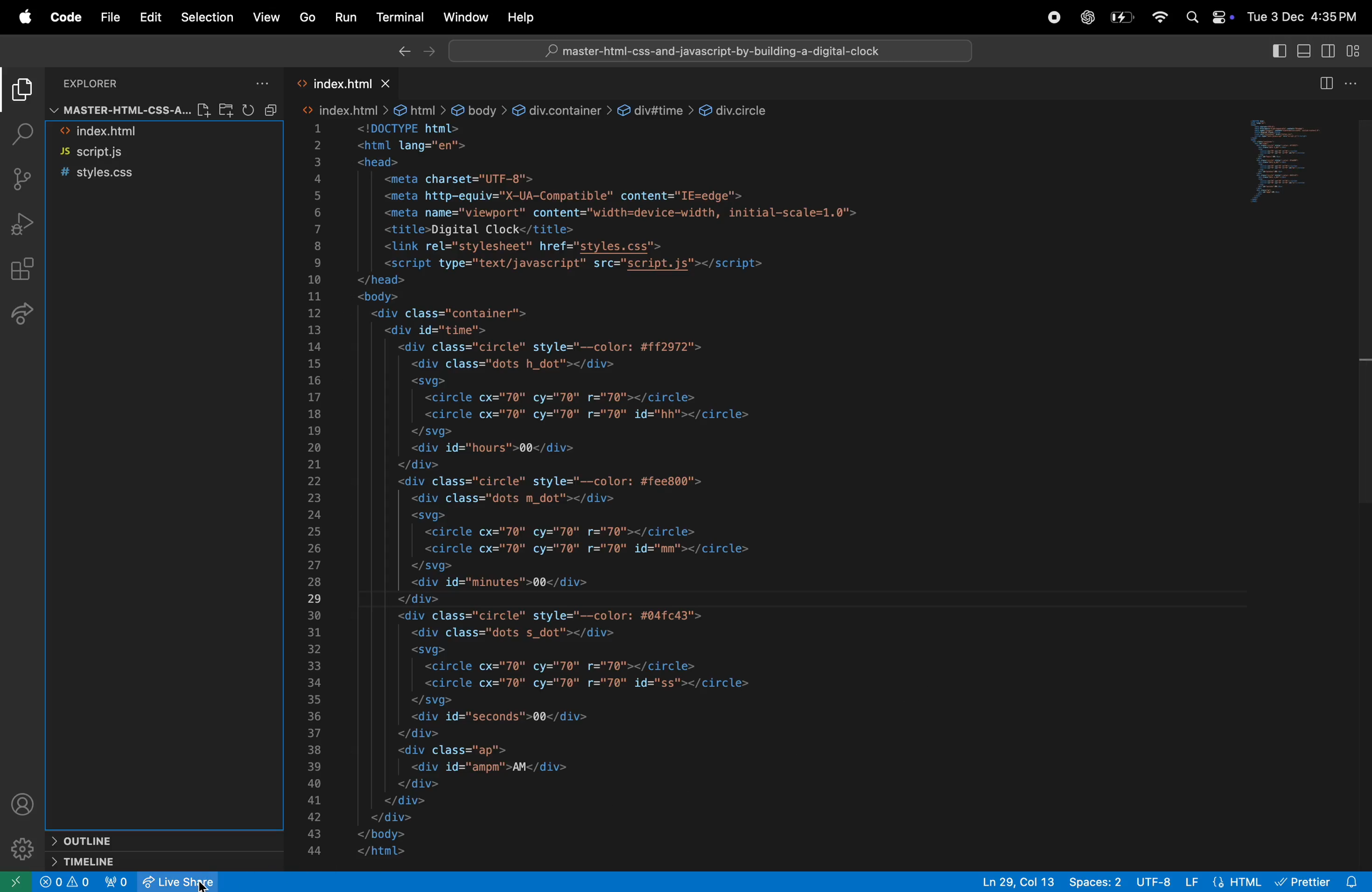 The height and width of the screenshot is (892, 1372). What do you see at coordinates (1272, 51) in the screenshot?
I see `toggle primary side bar` at bounding box center [1272, 51].